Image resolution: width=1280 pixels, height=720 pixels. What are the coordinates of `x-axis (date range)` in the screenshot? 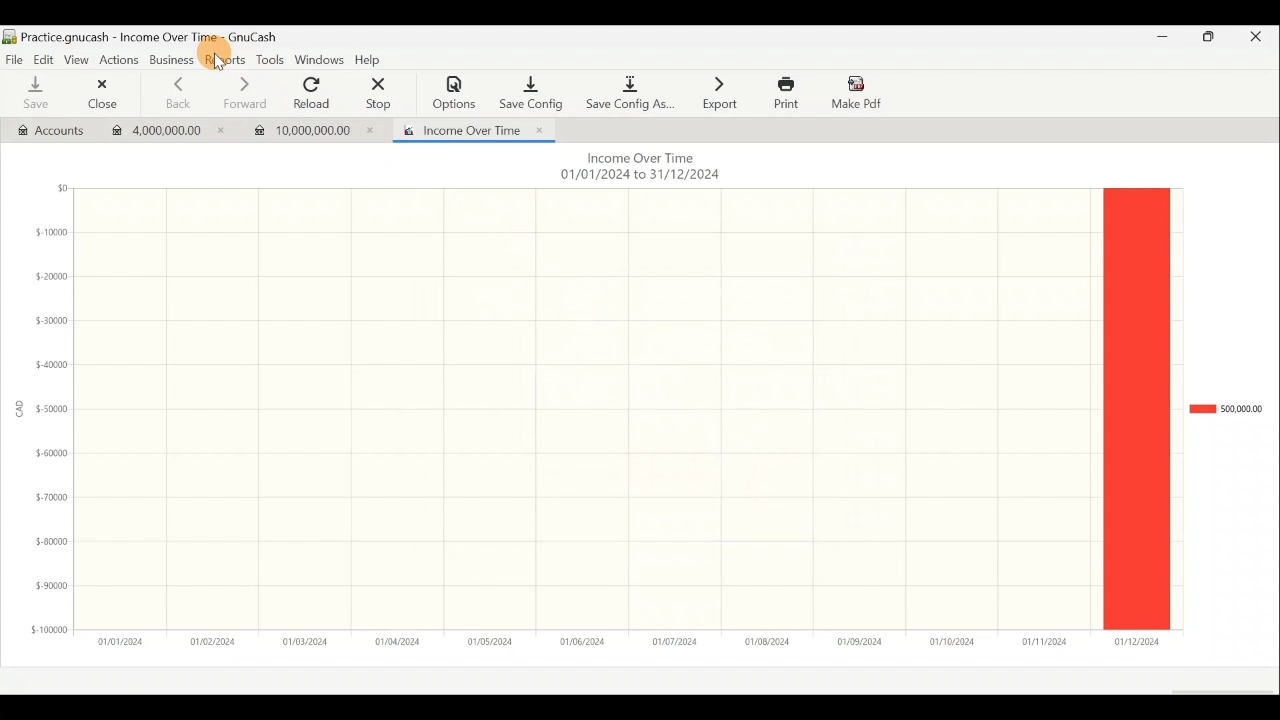 It's located at (616, 641).